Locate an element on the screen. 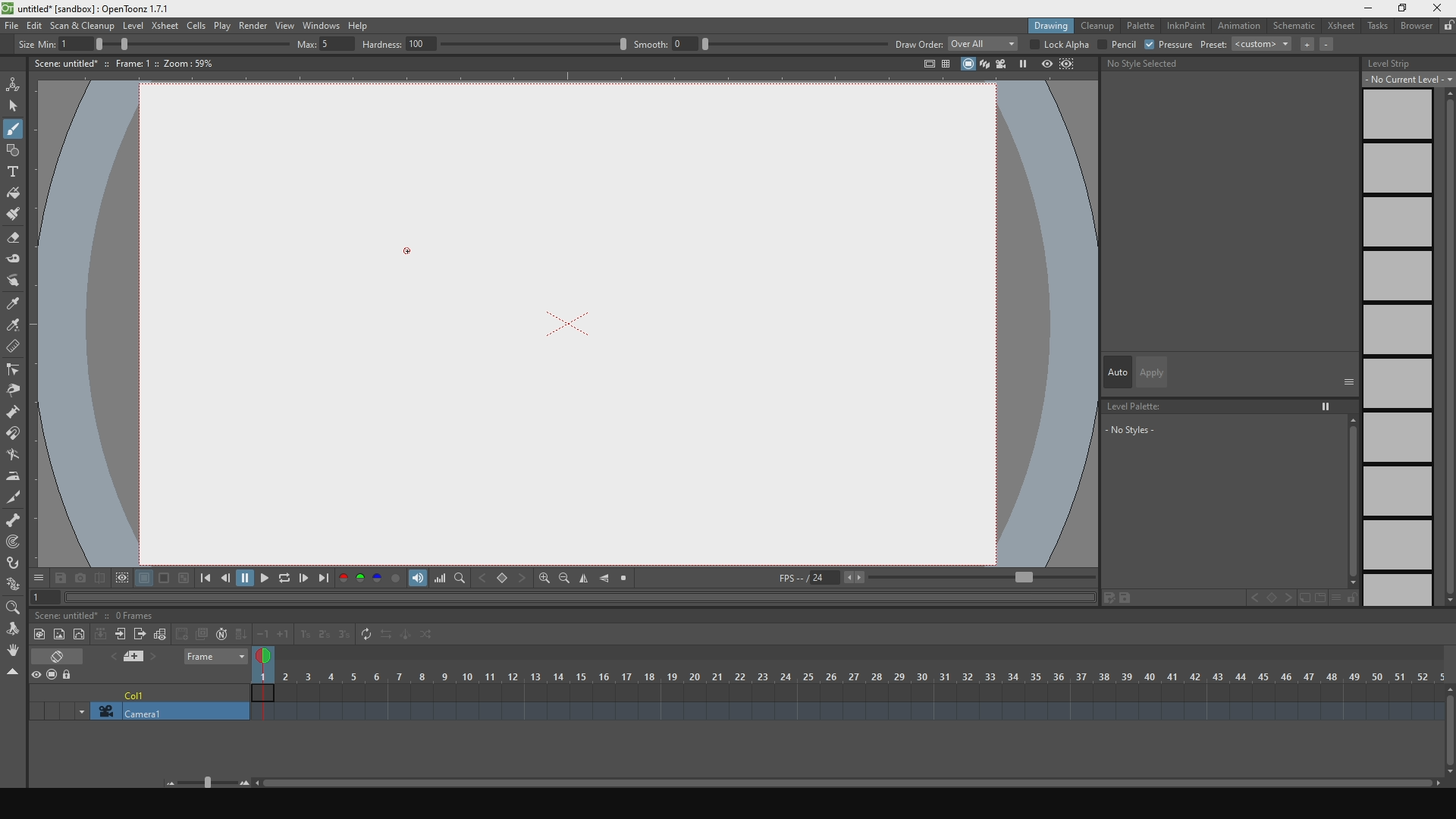  0 frames is located at coordinates (136, 615).